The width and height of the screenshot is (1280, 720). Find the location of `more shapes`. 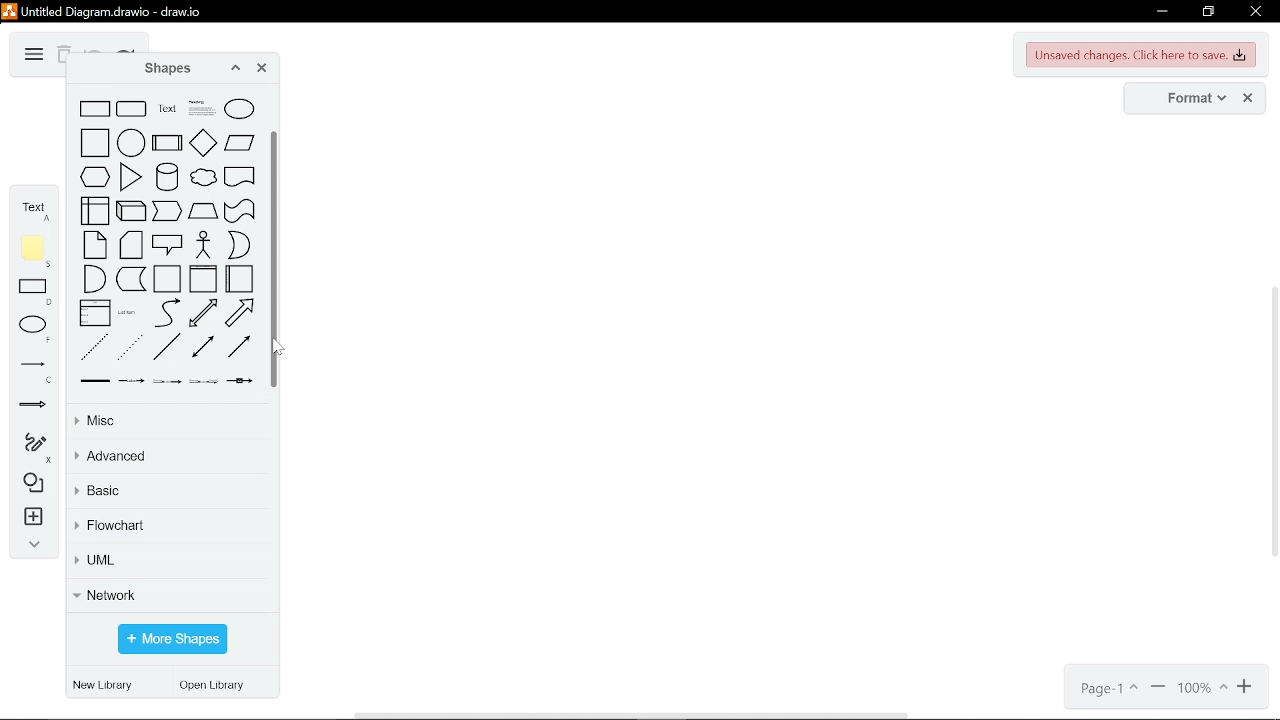

more shapes is located at coordinates (172, 640).